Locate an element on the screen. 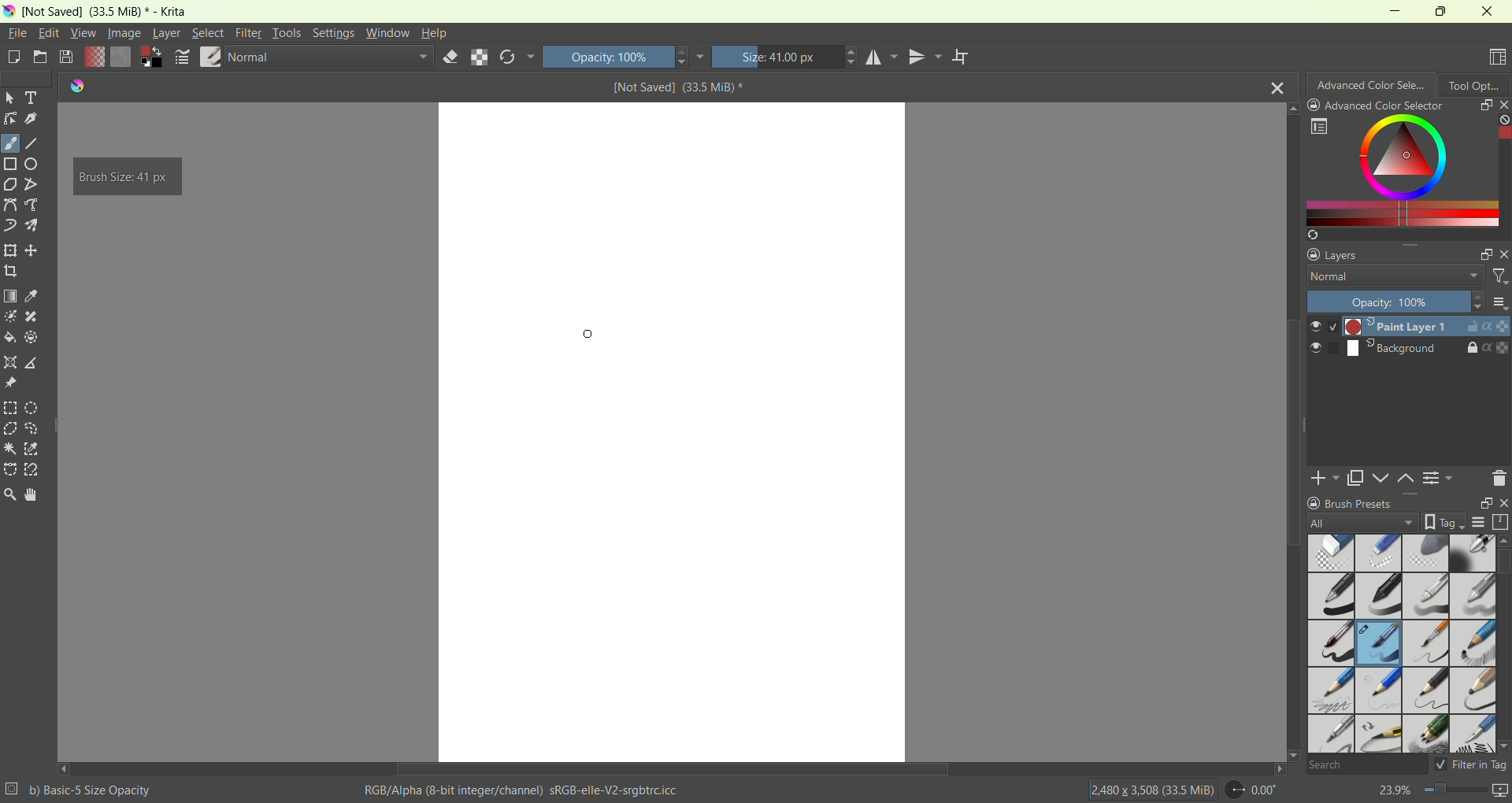 Image resolution: width=1512 pixels, height=803 pixels. elliptical selection is located at coordinates (31, 409).